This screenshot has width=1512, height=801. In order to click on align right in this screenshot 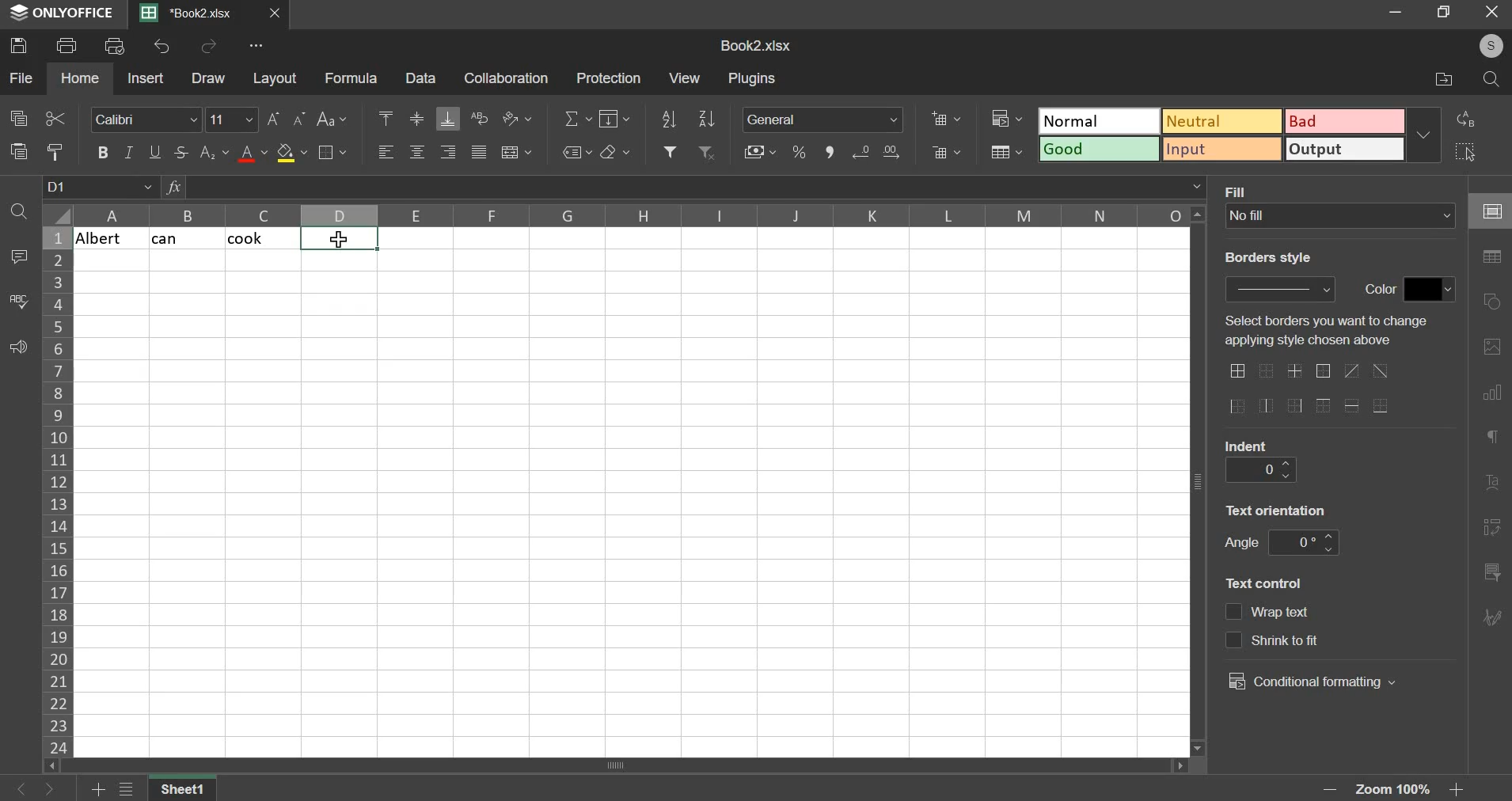, I will do `click(449, 152)`.